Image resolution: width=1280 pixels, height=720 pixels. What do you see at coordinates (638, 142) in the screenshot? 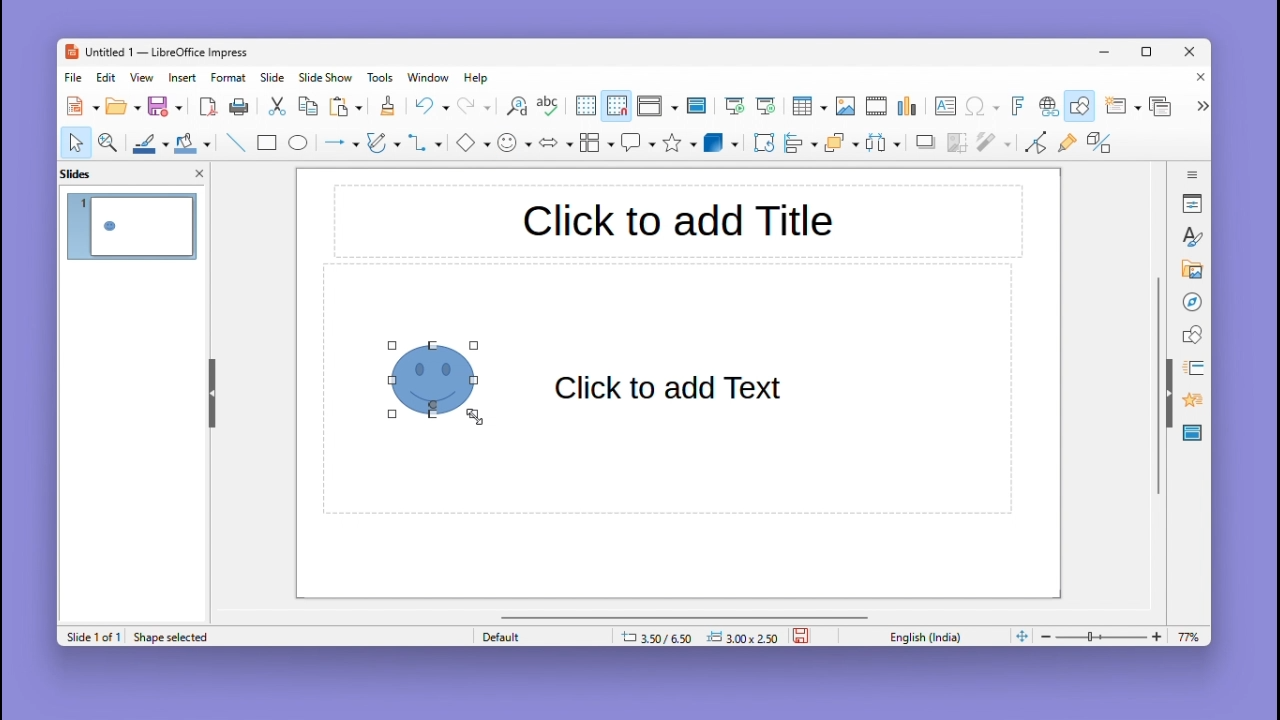
I see `Comment box` at bounding box center [638, 142].